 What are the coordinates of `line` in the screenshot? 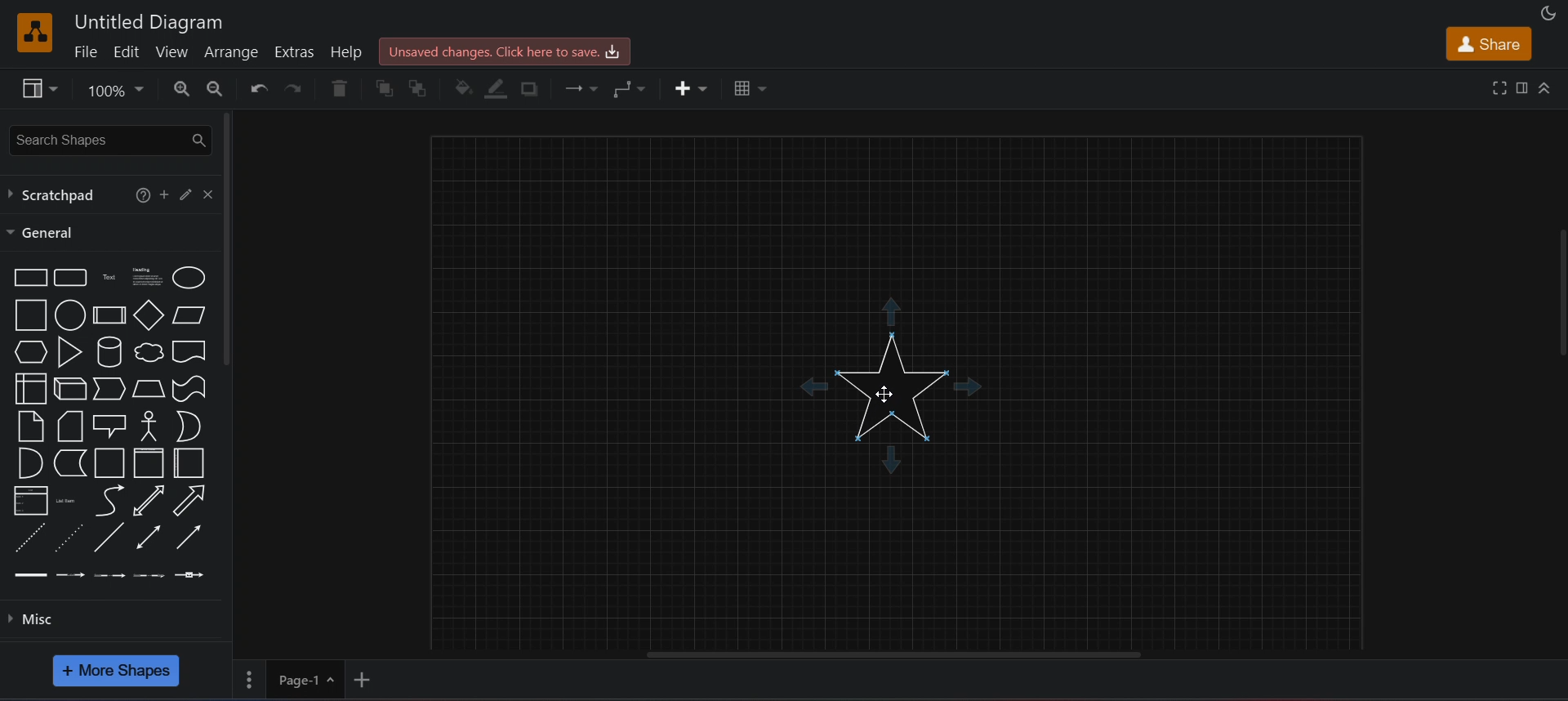 It's located at (110, 537).